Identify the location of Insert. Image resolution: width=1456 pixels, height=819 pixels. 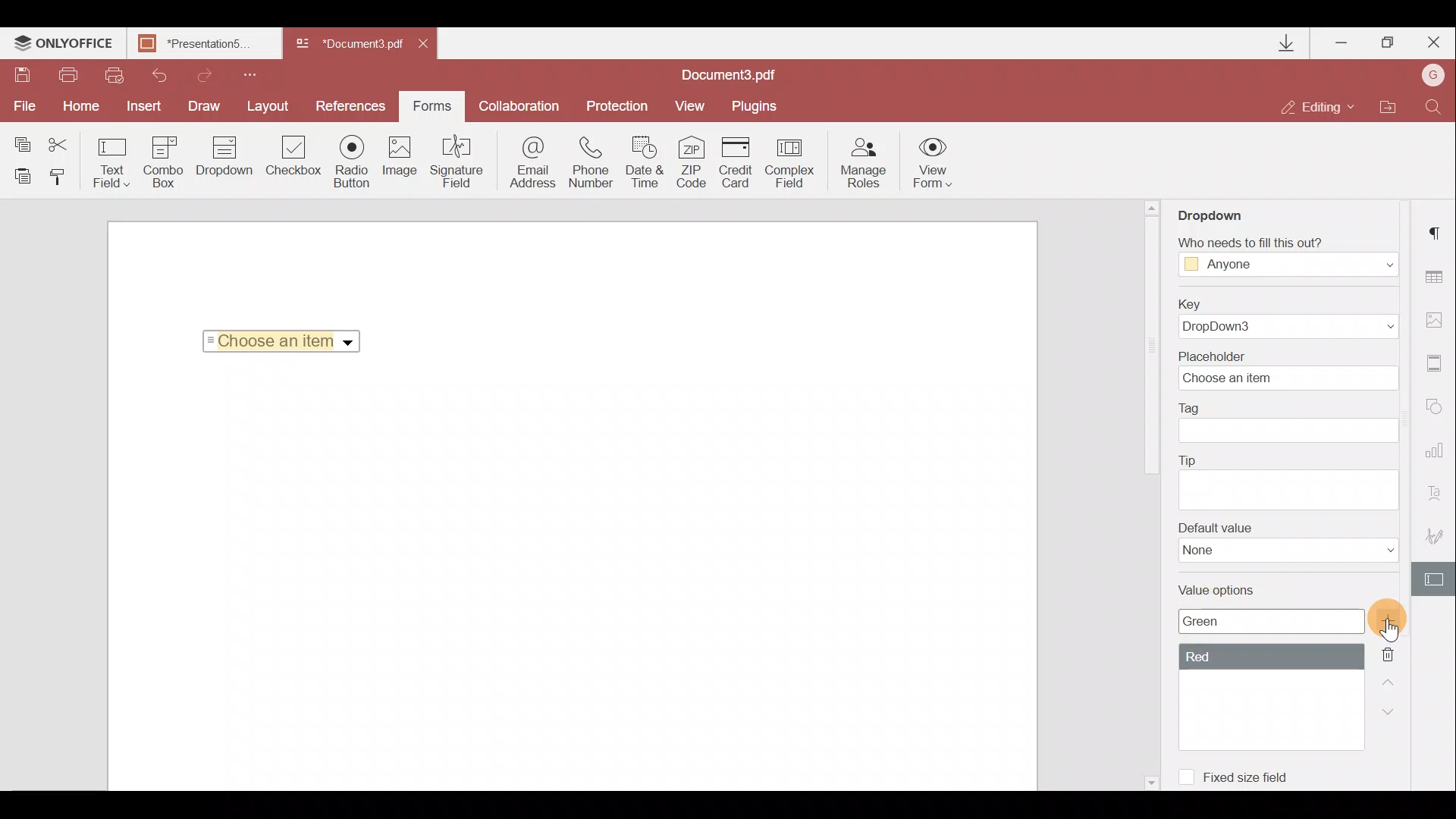
(147, 106).